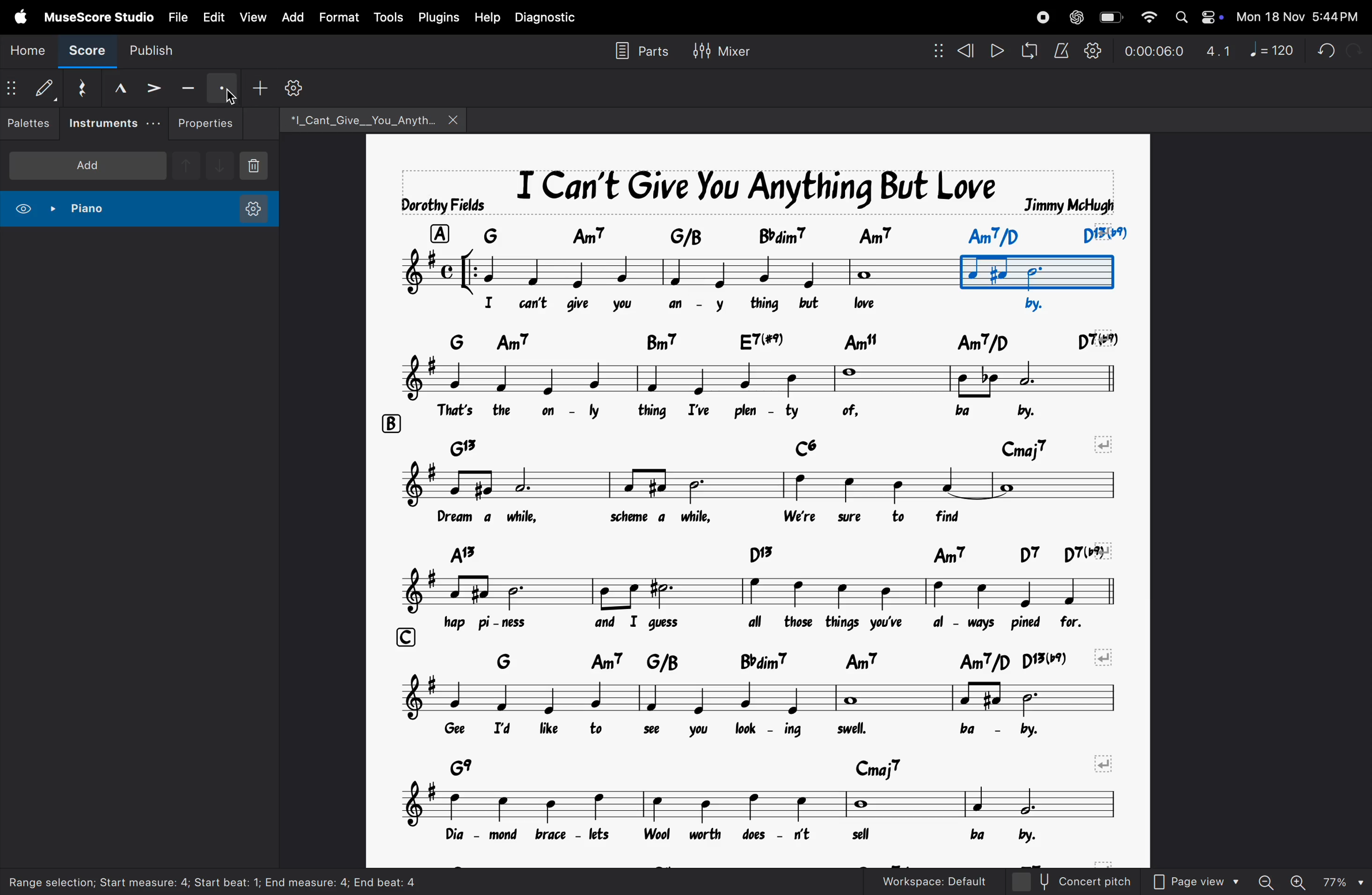 The height and width of the screenshot is (895, 1372). What do you see at coordinates (25, 52) in the screenshot?
I see `home` at bounding box center [25, 52].